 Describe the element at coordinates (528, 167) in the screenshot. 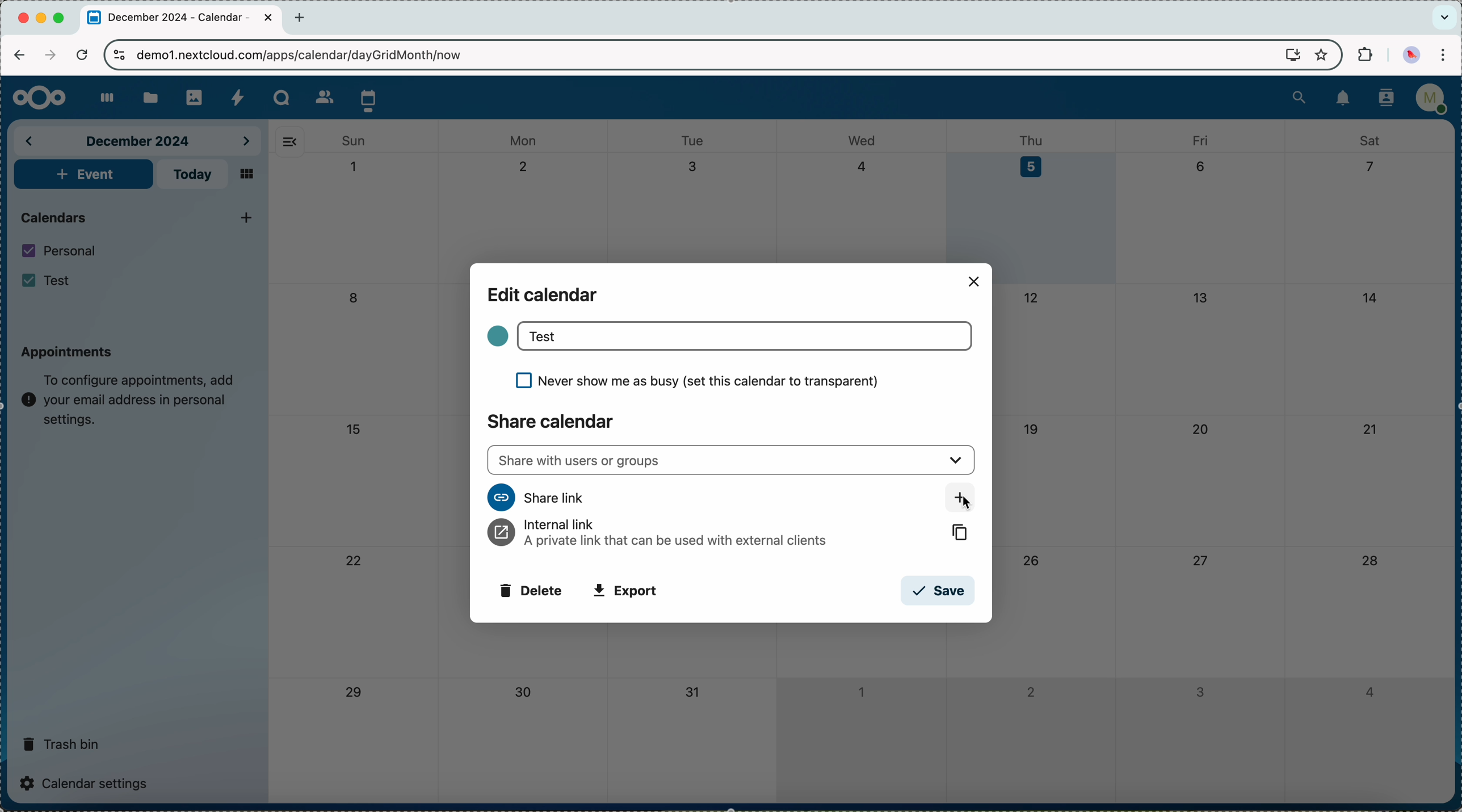

I see `2` at that location.